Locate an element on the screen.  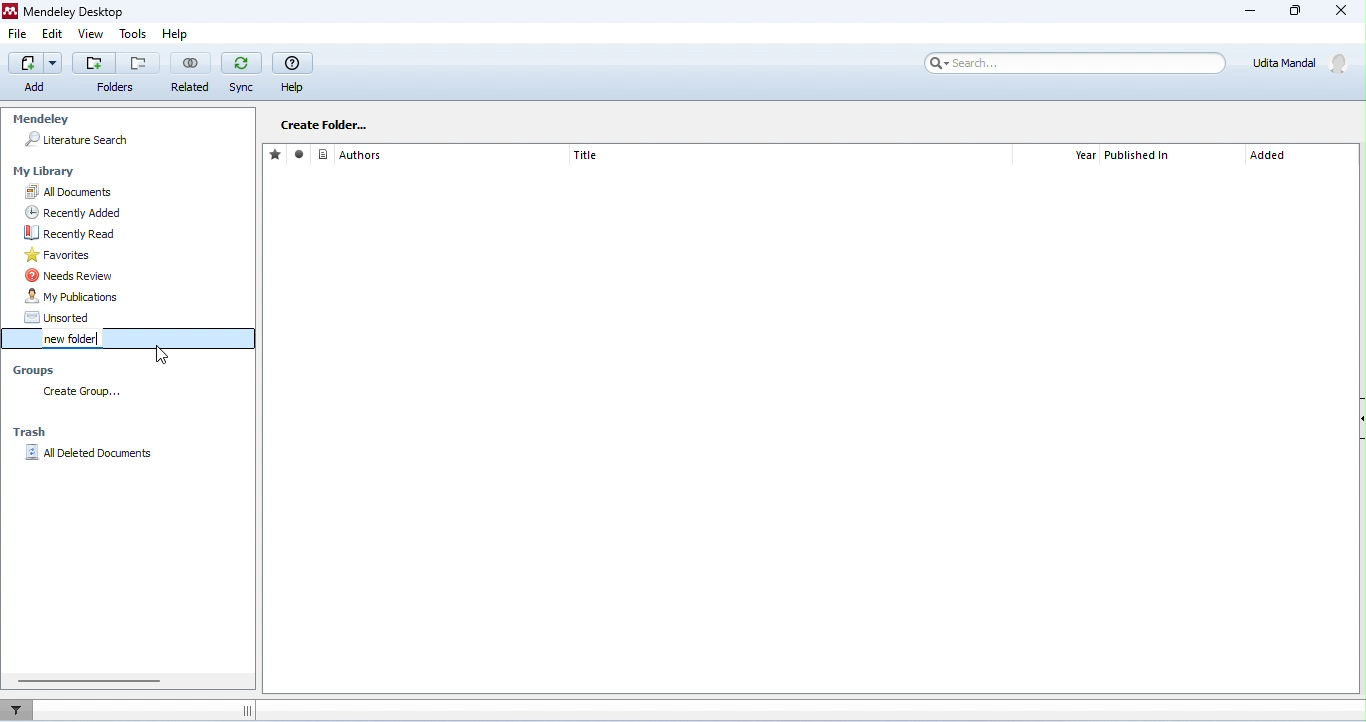
my library is located at coordinates (47, 172).